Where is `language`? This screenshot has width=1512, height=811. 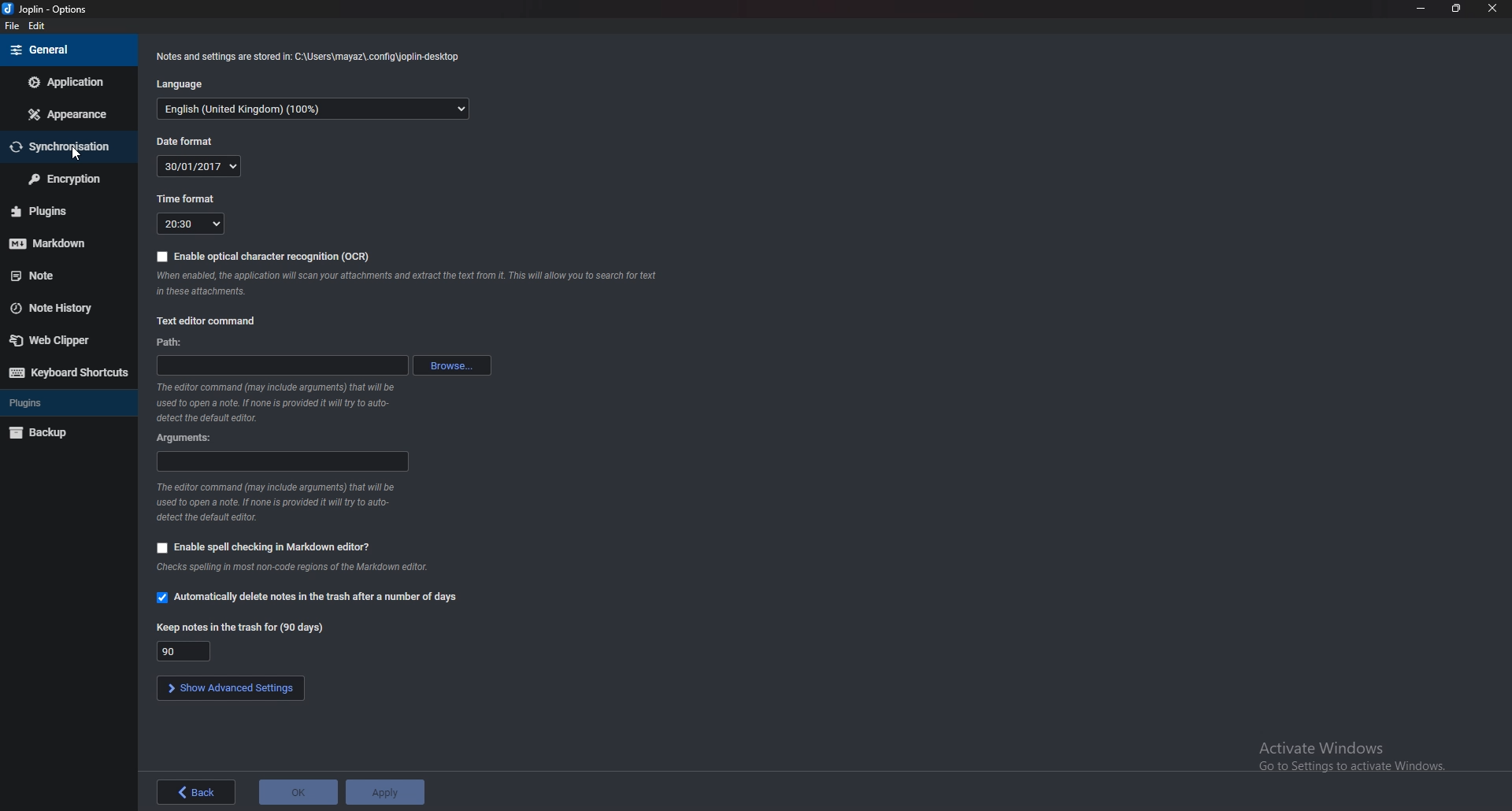 language is located at coordinates (183, 84).